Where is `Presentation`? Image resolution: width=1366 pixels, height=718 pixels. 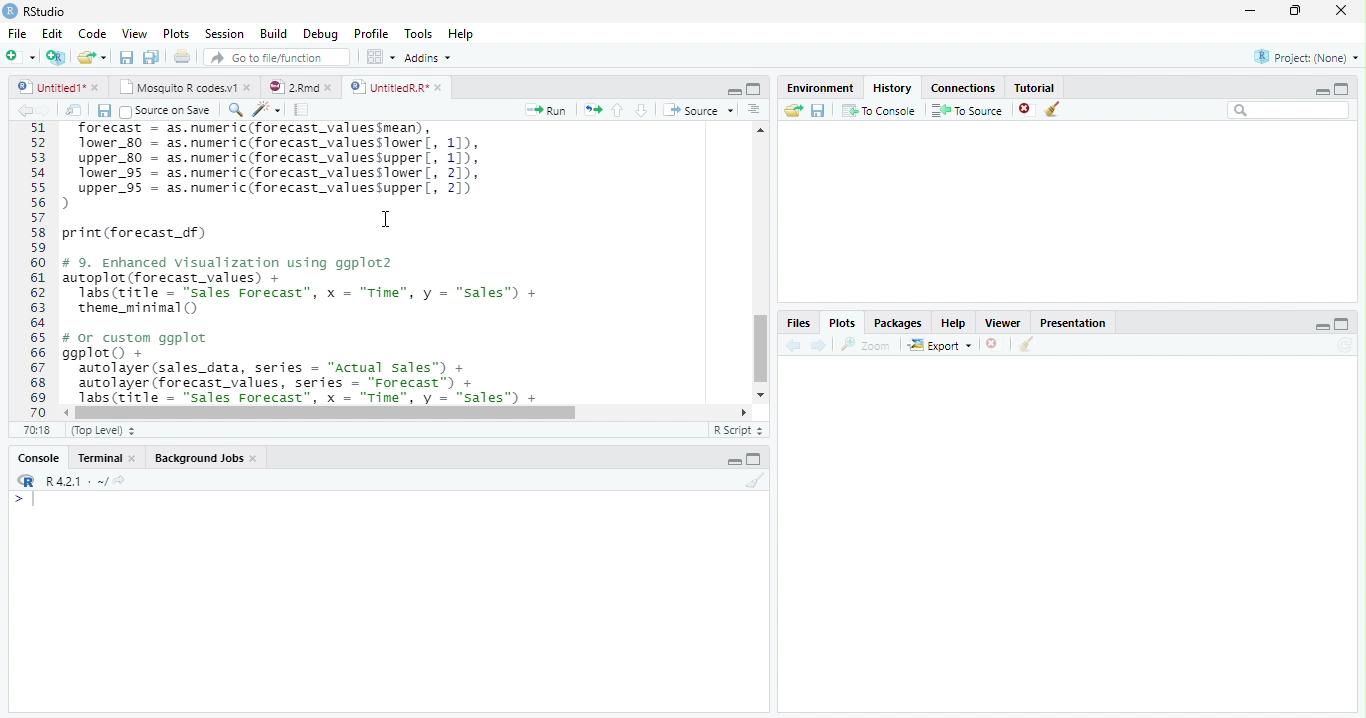 Presentation is located at coordinates (1073, 323).